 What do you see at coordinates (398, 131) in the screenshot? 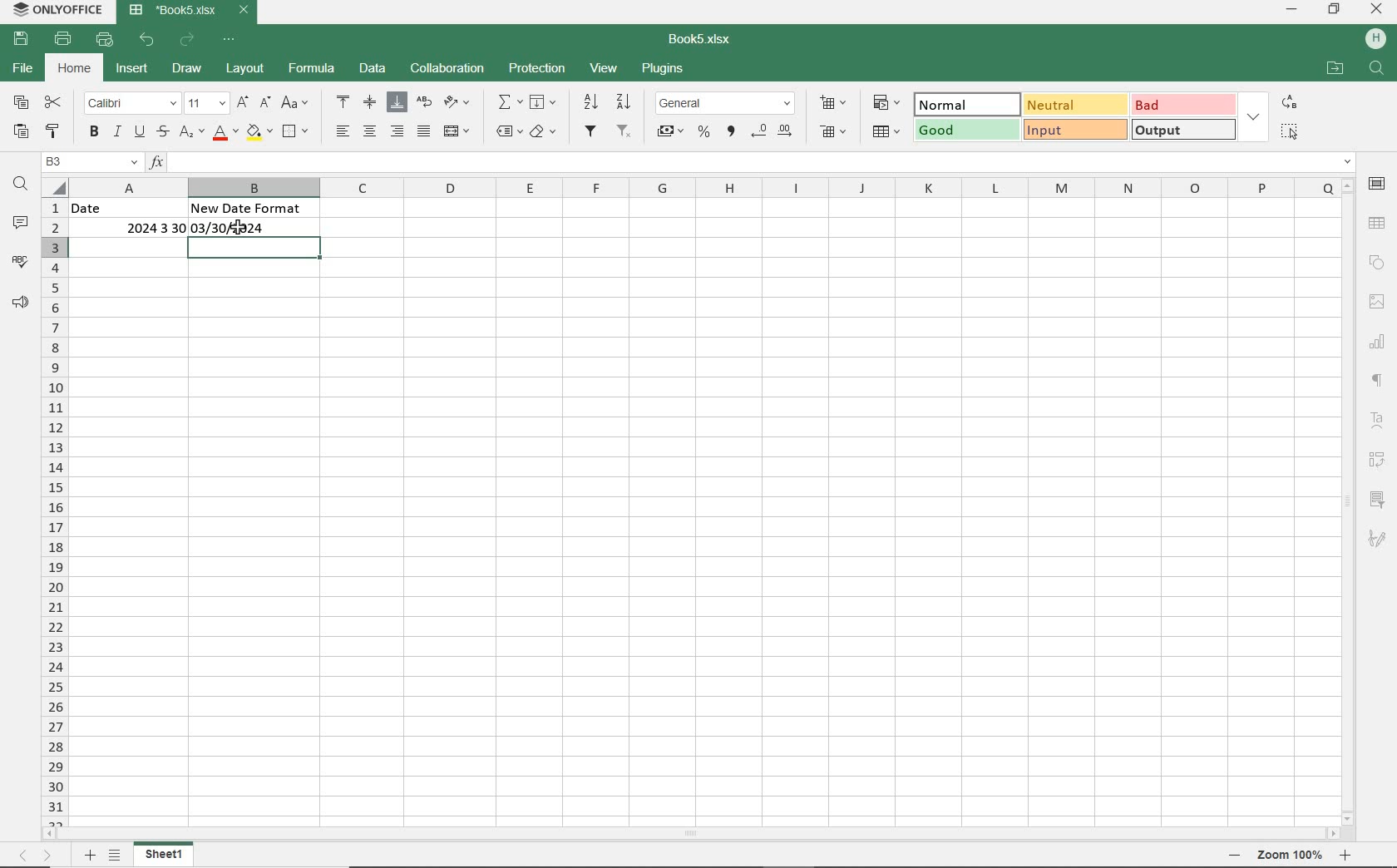
I see `ALIGN RIGHT` at bounding box center [398, 131].